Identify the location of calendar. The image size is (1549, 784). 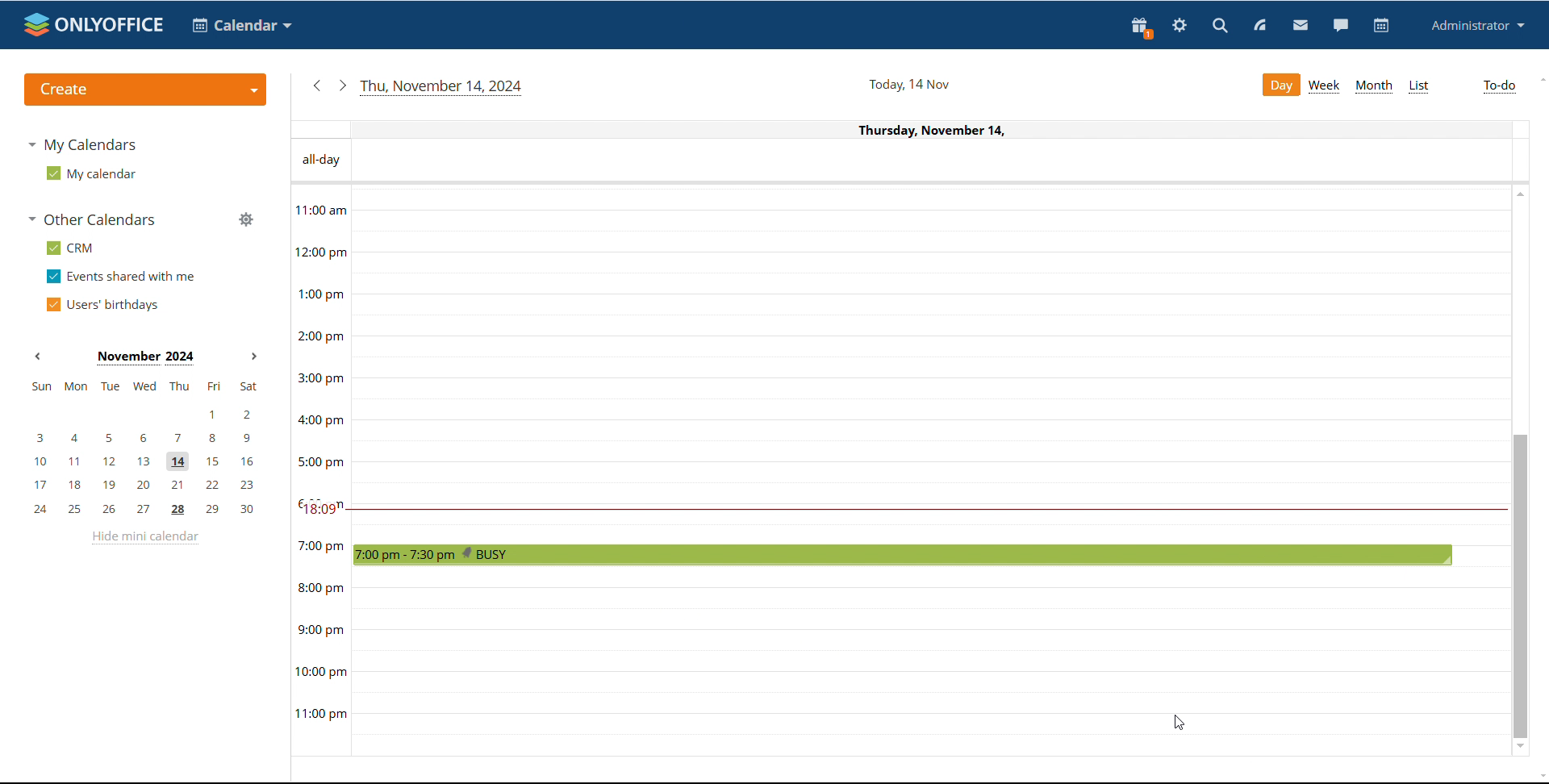
(1380, 27).